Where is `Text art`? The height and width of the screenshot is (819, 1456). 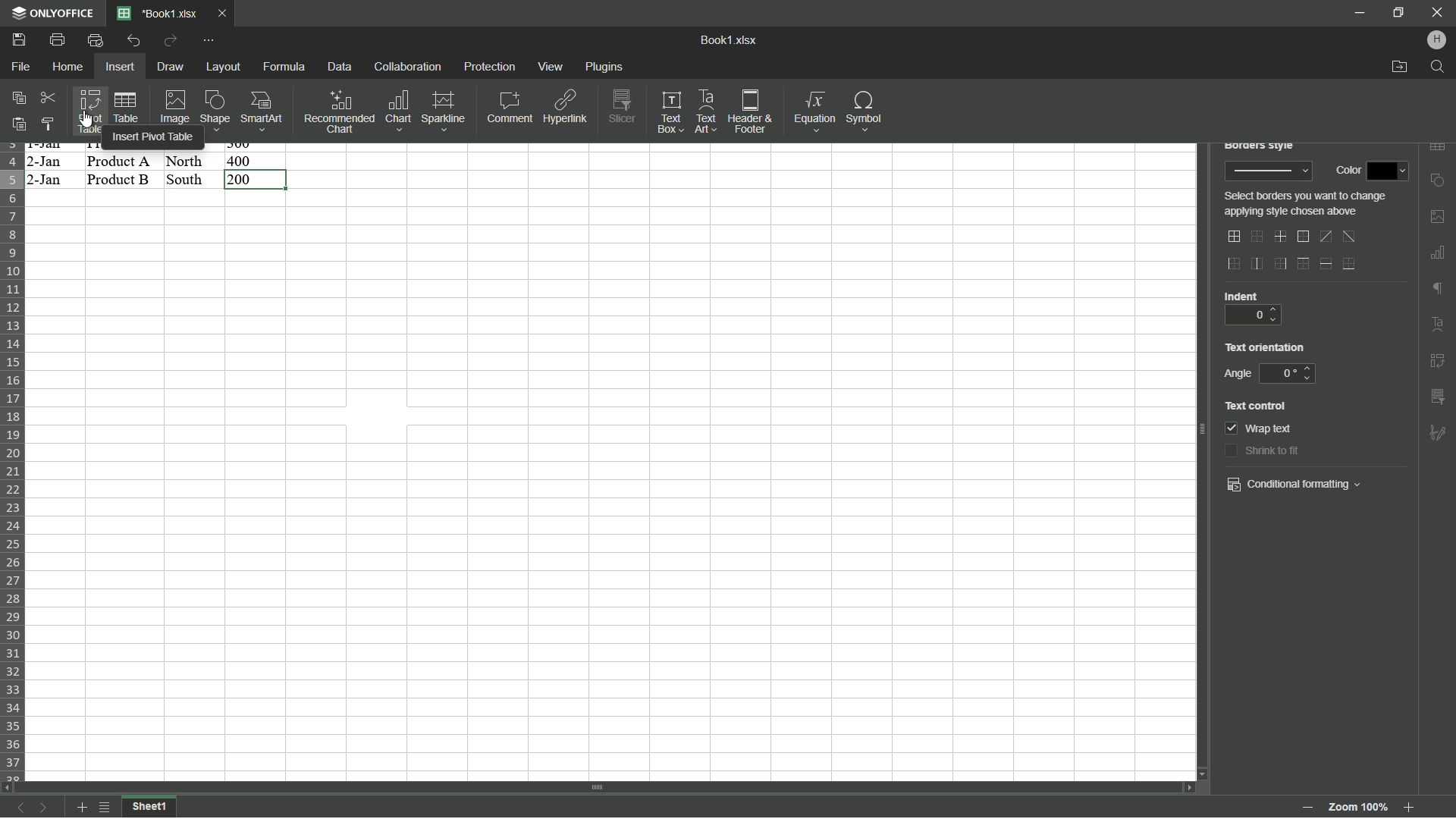
Text art is located at coordinates (706, 111).